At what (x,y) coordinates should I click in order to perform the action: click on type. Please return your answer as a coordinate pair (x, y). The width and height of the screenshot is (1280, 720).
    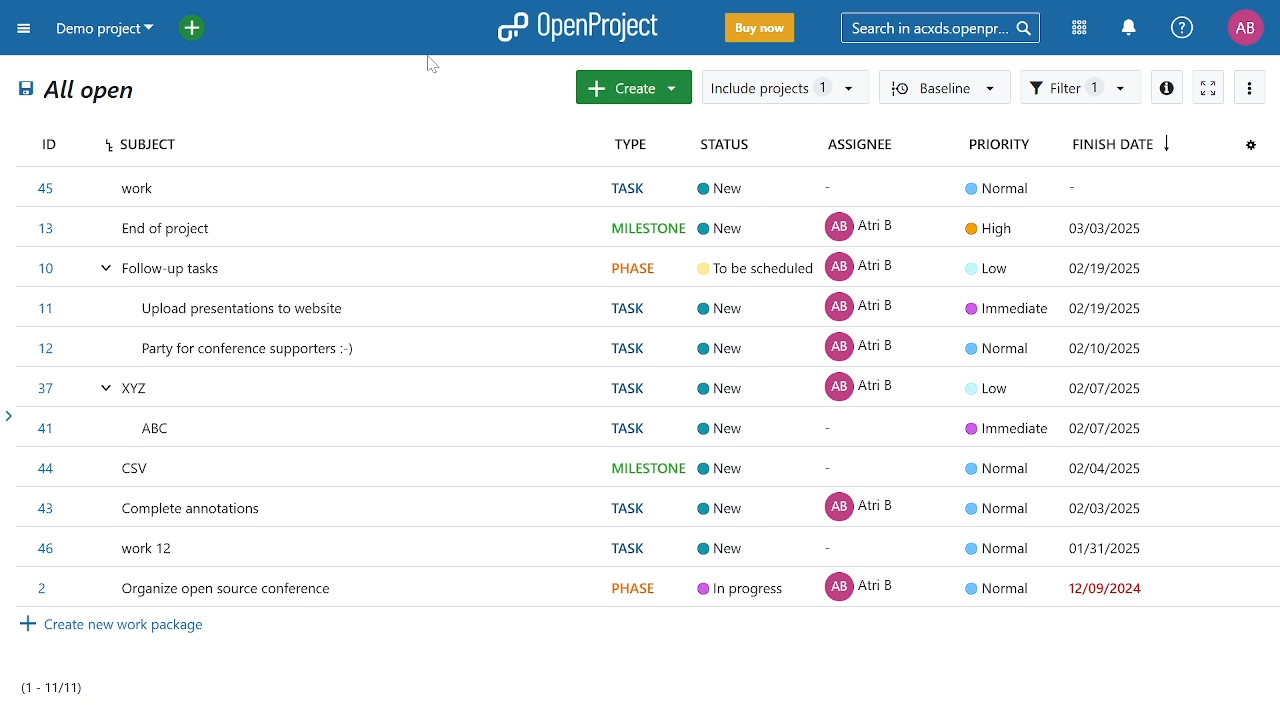
    Looking at the image, I should click on (636, 145).